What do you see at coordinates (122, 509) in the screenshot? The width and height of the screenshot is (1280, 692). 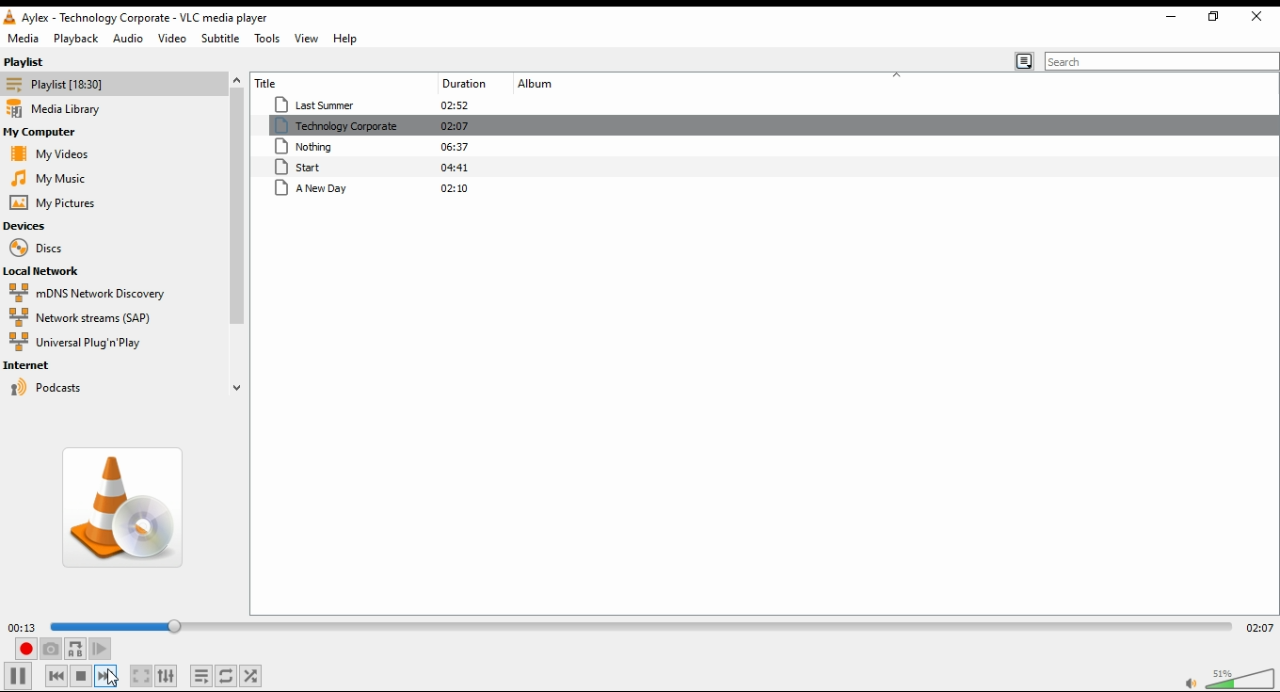 I see `album art` at bounding box center [122, 509].